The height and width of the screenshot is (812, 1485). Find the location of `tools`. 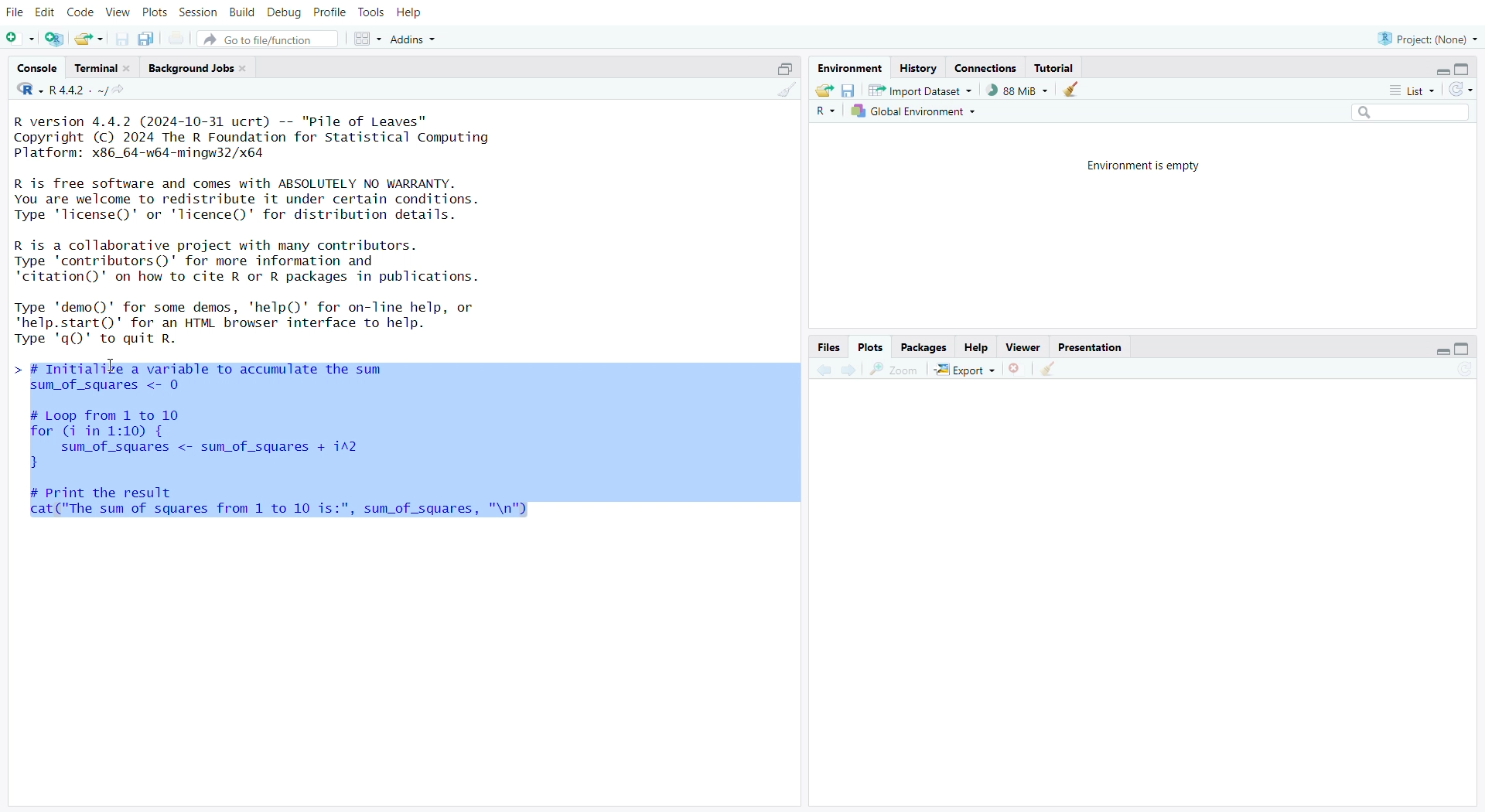

tools is located at coordinates (372, 12).